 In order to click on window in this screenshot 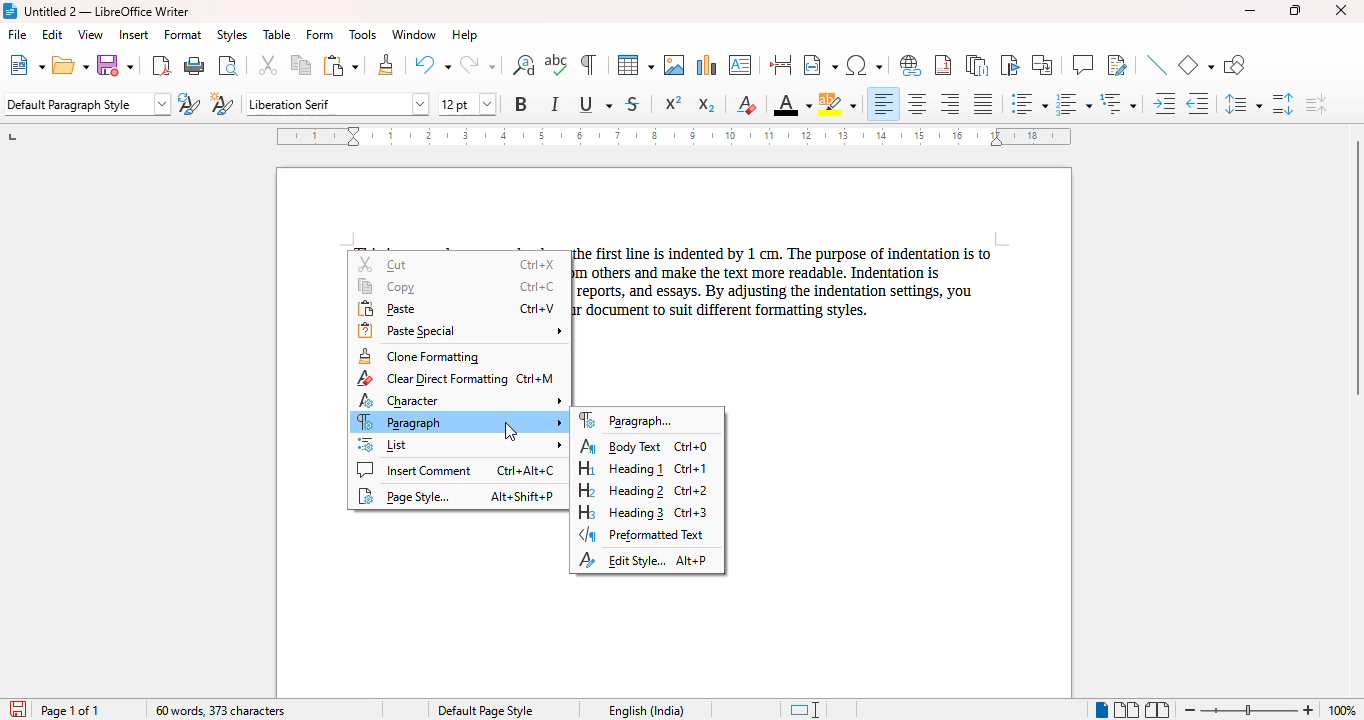, I will do `click(414, 34)`.